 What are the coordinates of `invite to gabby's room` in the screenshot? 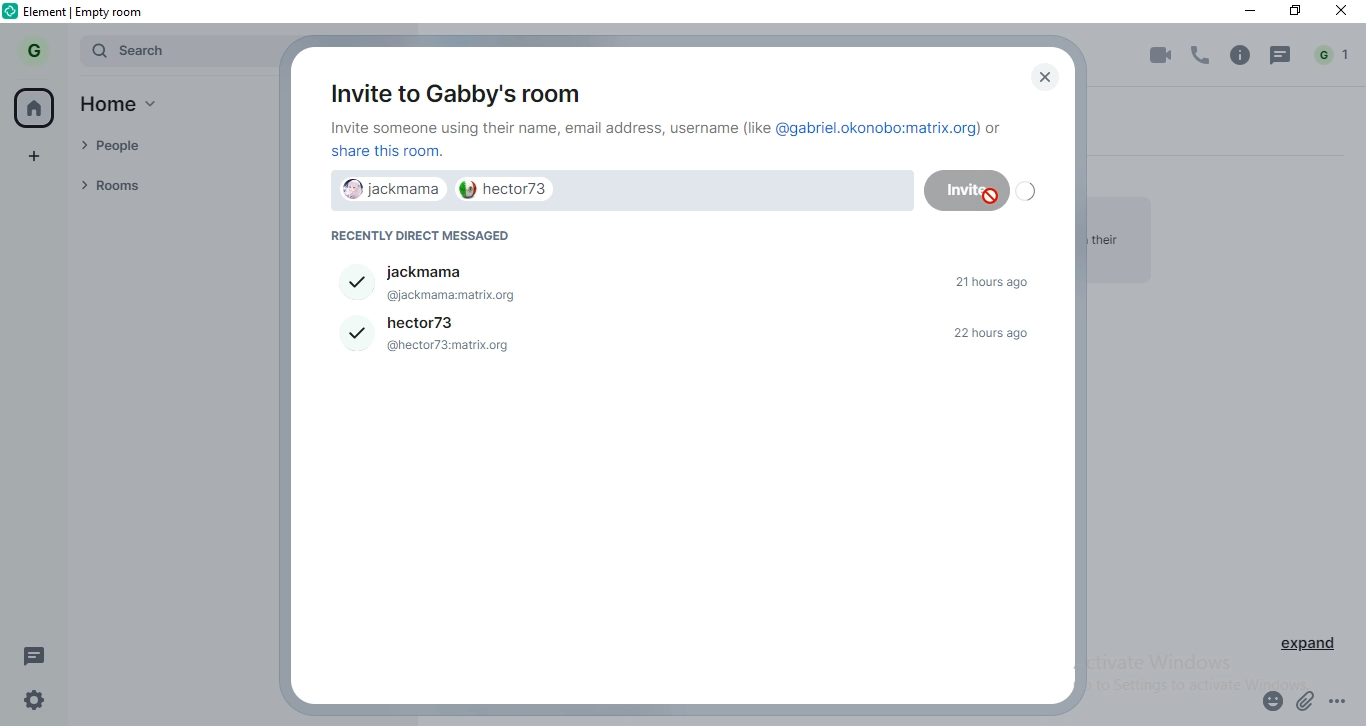 It's located at (451, 90).